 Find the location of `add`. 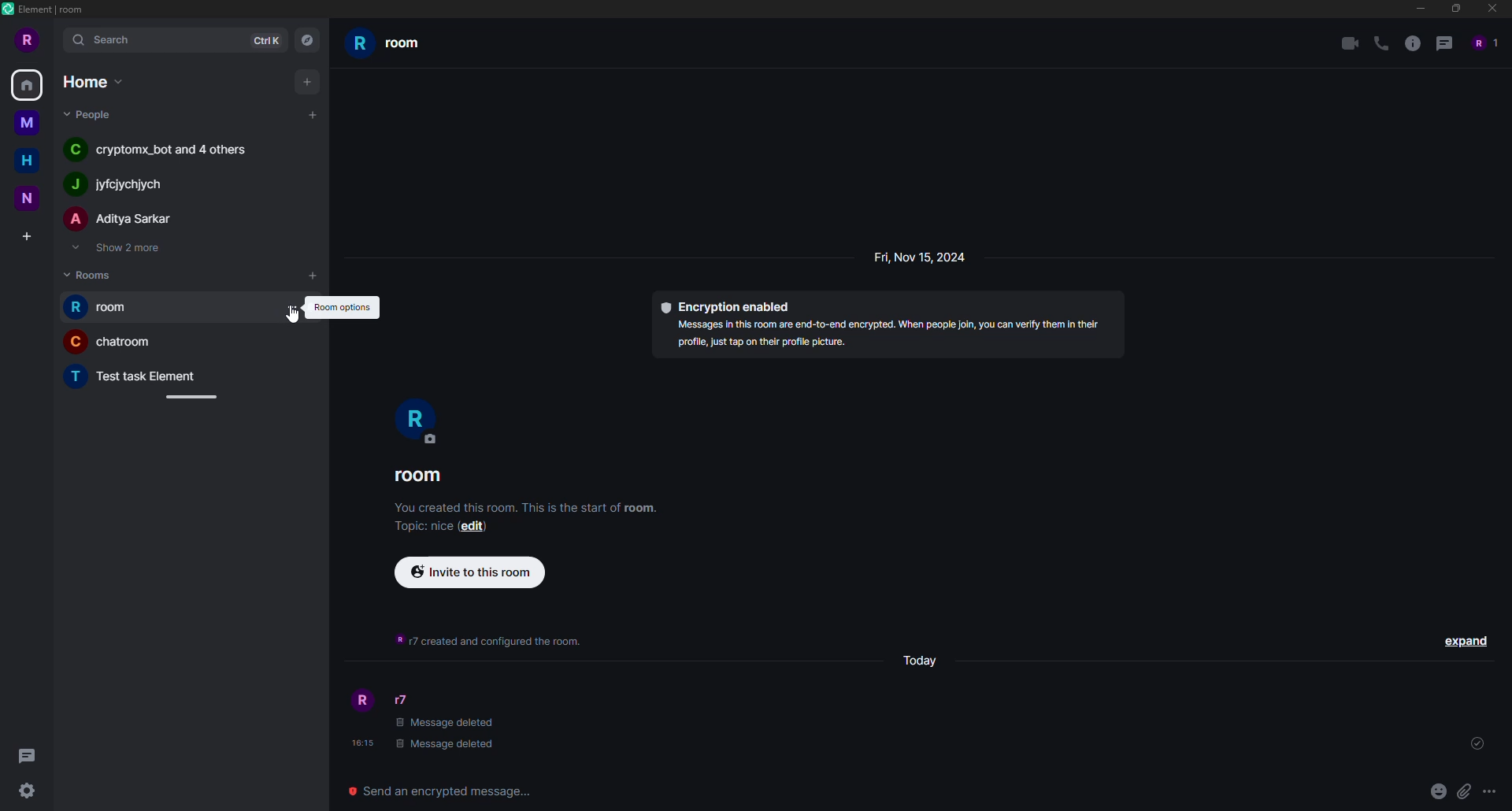

add is located at coordinates (307, 80).